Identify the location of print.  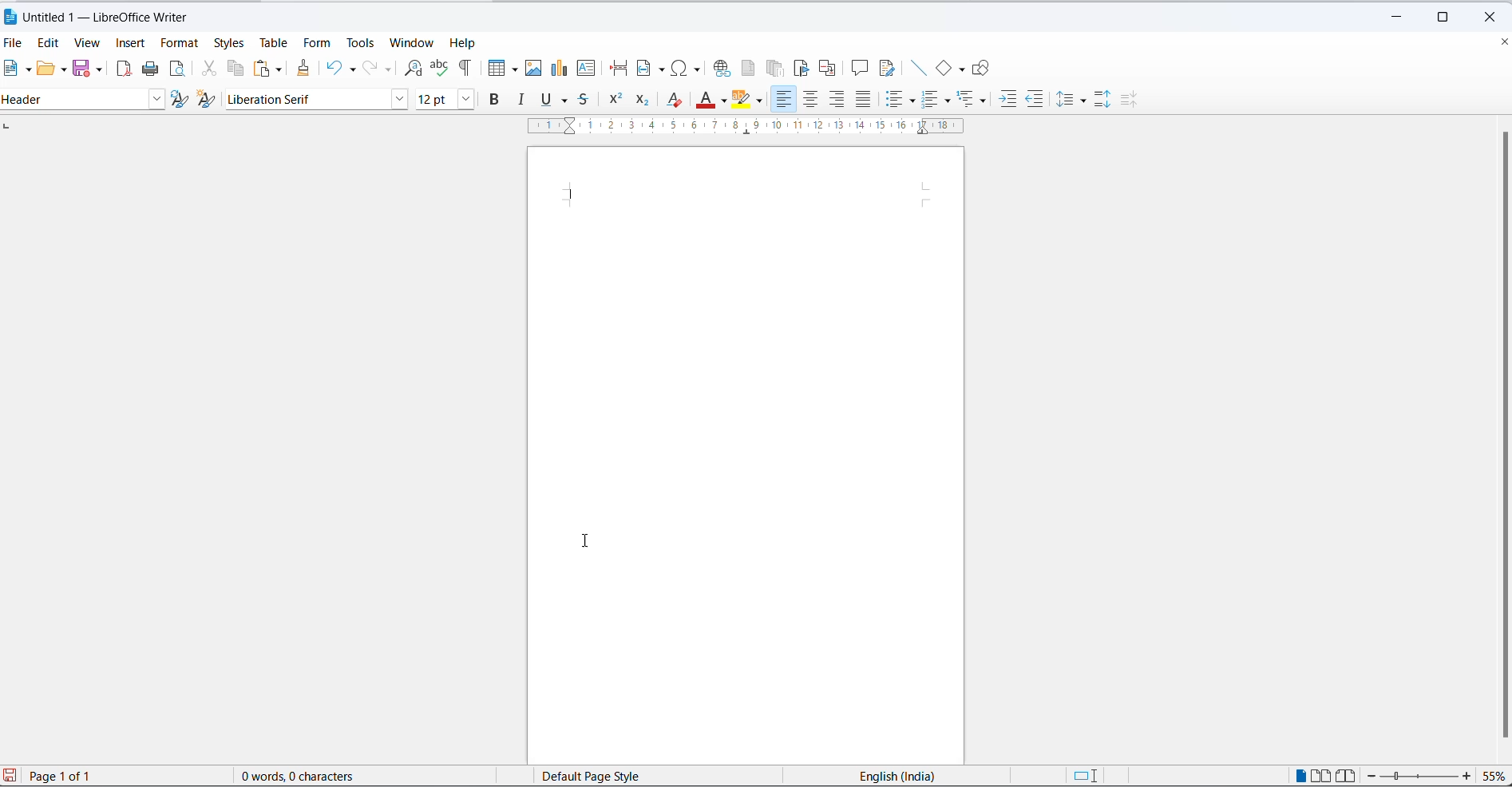
(151, 69).